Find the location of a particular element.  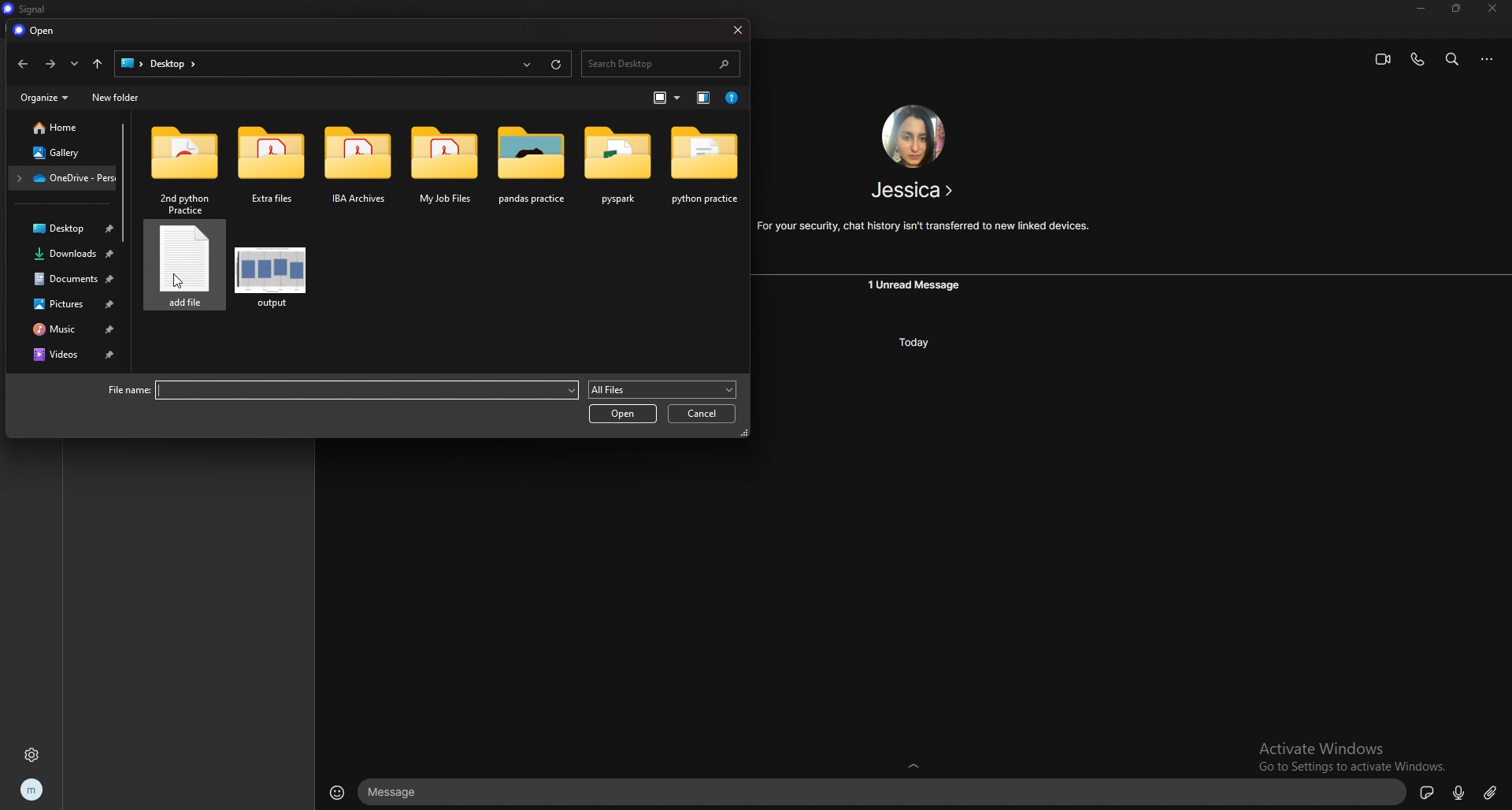

back is located at coordinates (20, 64).